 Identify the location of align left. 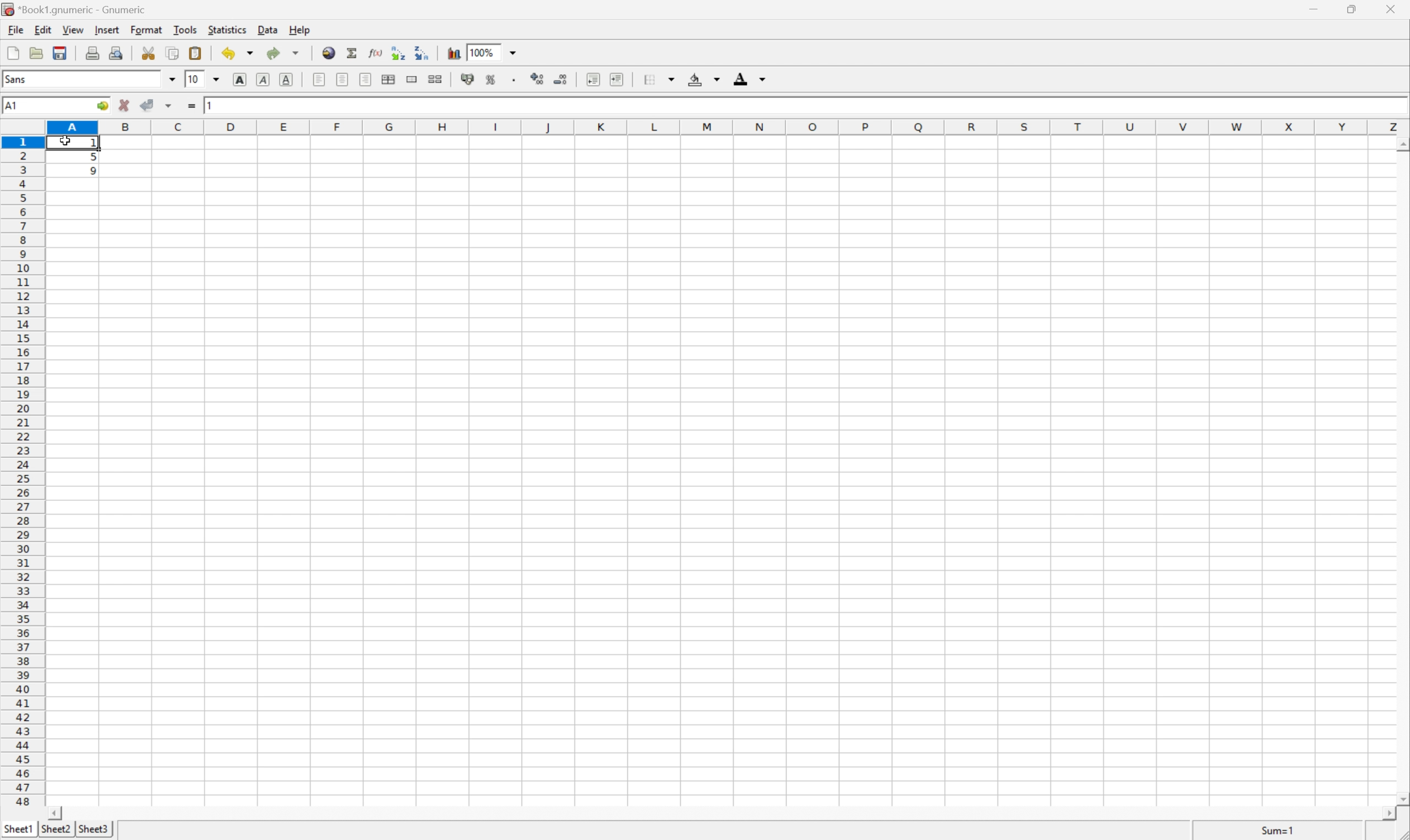
(320, 79).